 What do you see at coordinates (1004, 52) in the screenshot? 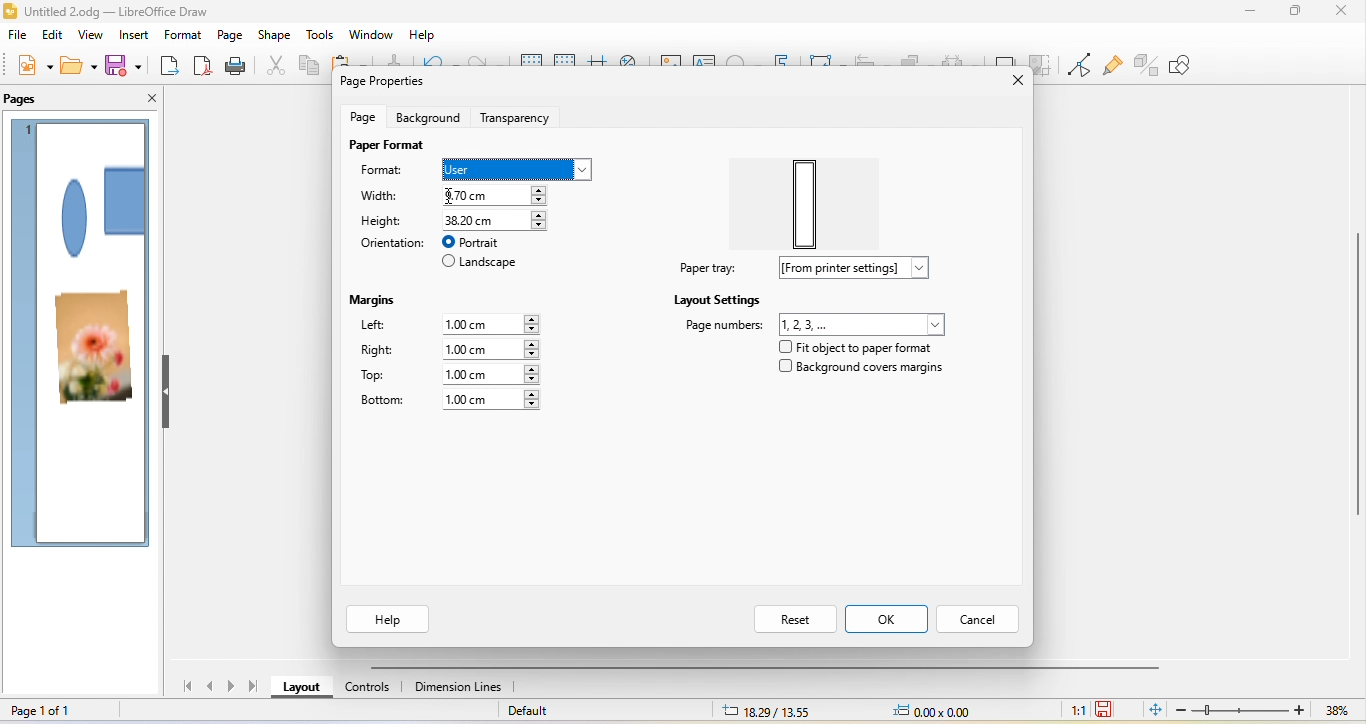
I see `shadow` at bounding box center [1004, 52].